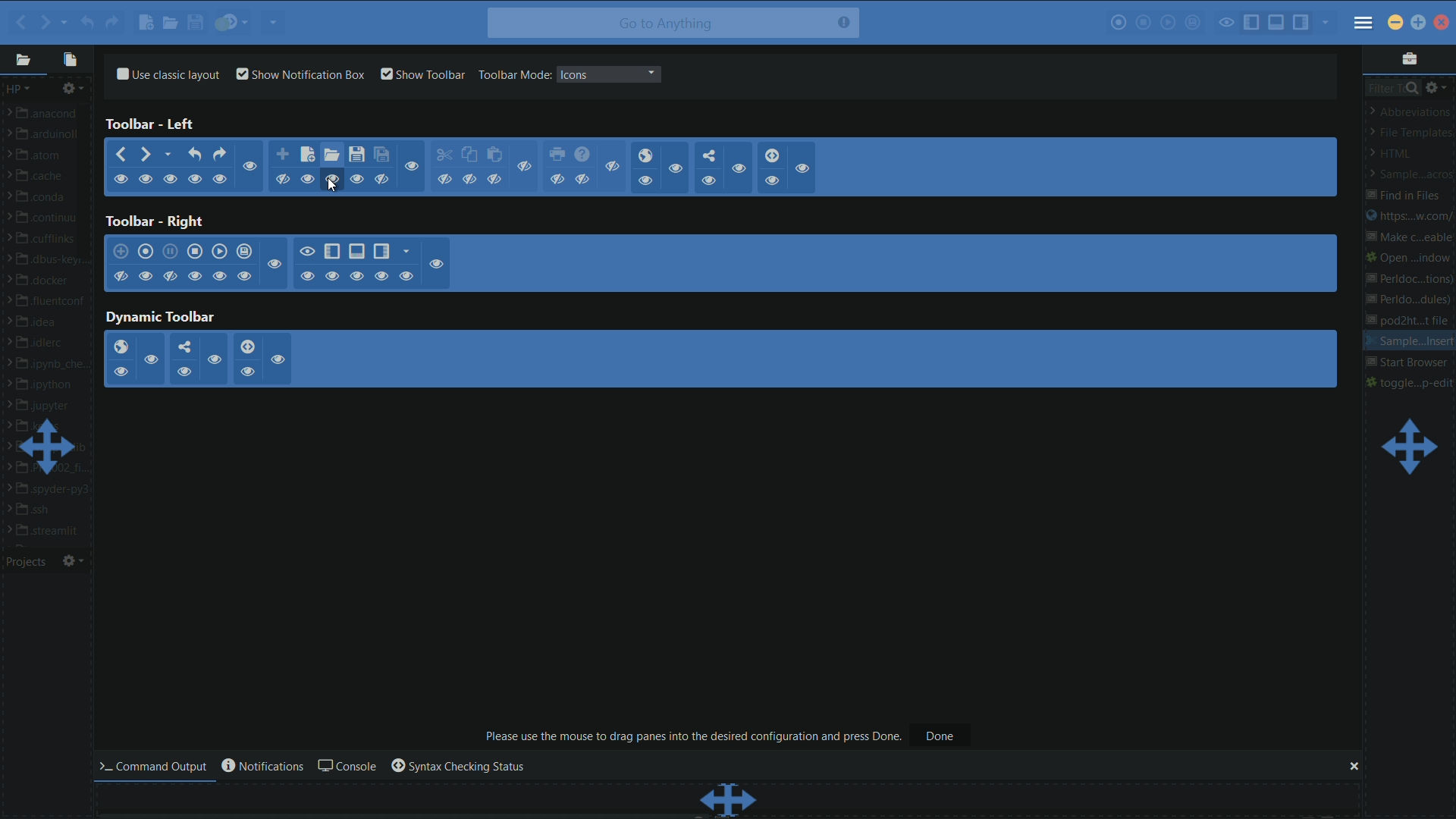 This screenshot has width=1456, height=819. Describe the element at coordinates (194, 275) in the screenshot. I see `hide/show` at that location.